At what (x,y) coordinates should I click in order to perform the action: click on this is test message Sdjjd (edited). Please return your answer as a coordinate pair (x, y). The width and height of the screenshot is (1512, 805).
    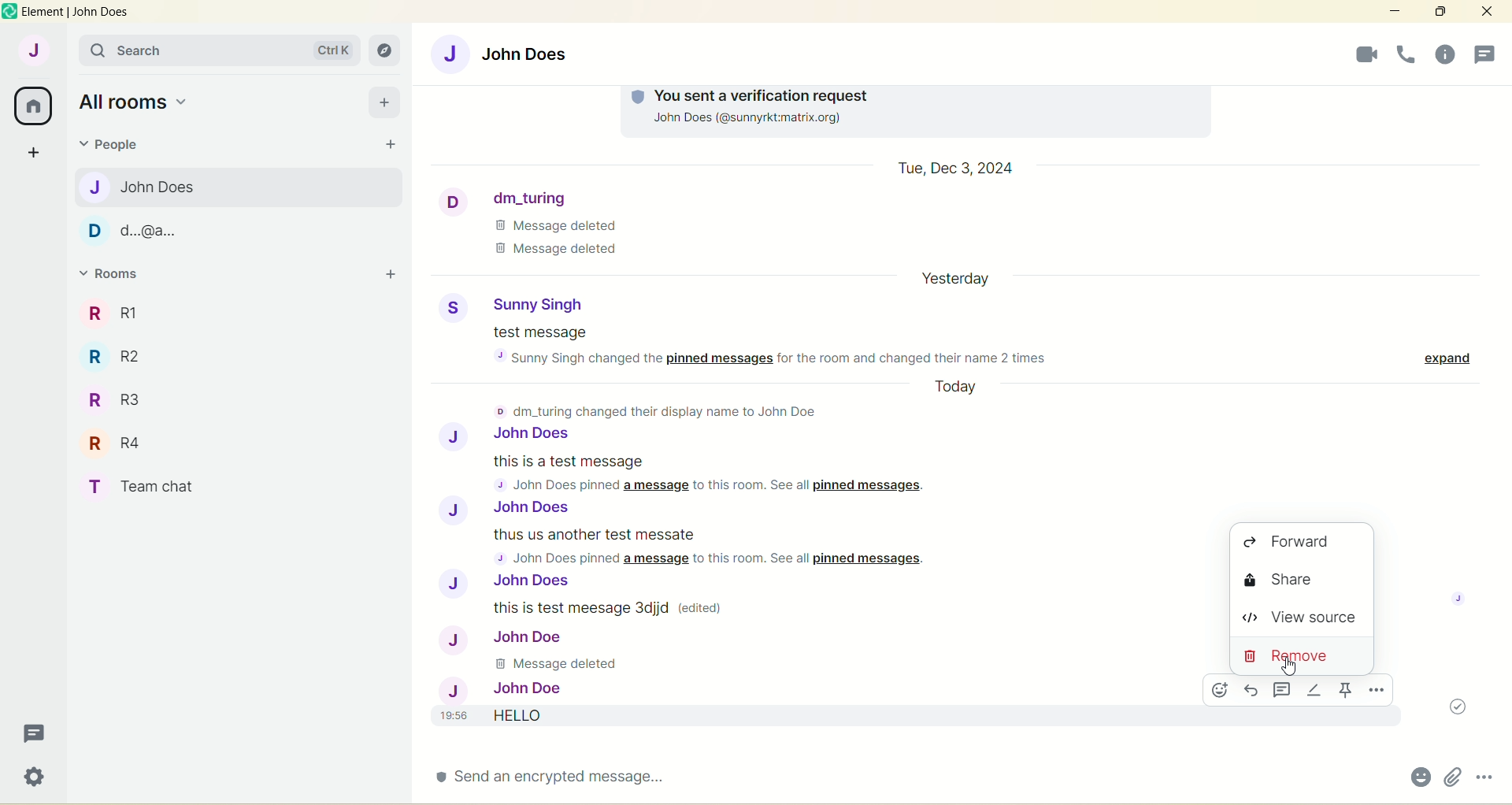
    Looking at the image, I should click on (616, 607).